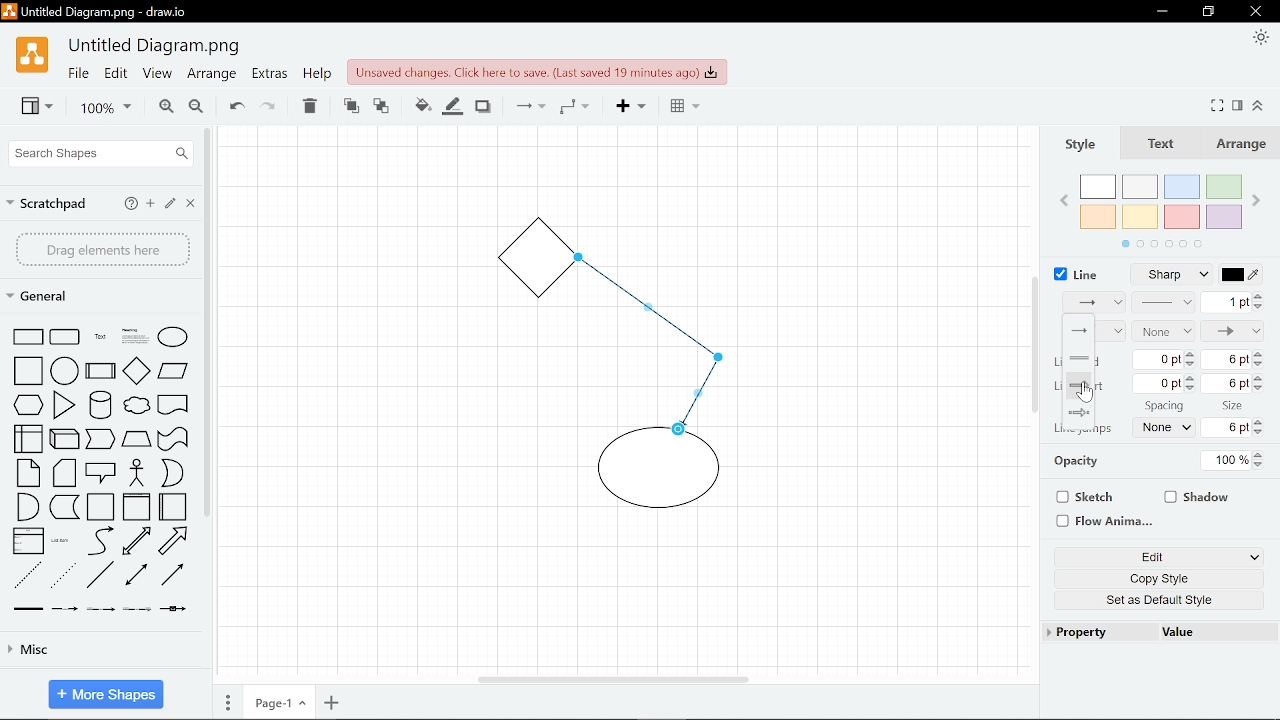 The height and width of the screenshot is (720, 1280). I want to click on Increase, so click(1258, 355).